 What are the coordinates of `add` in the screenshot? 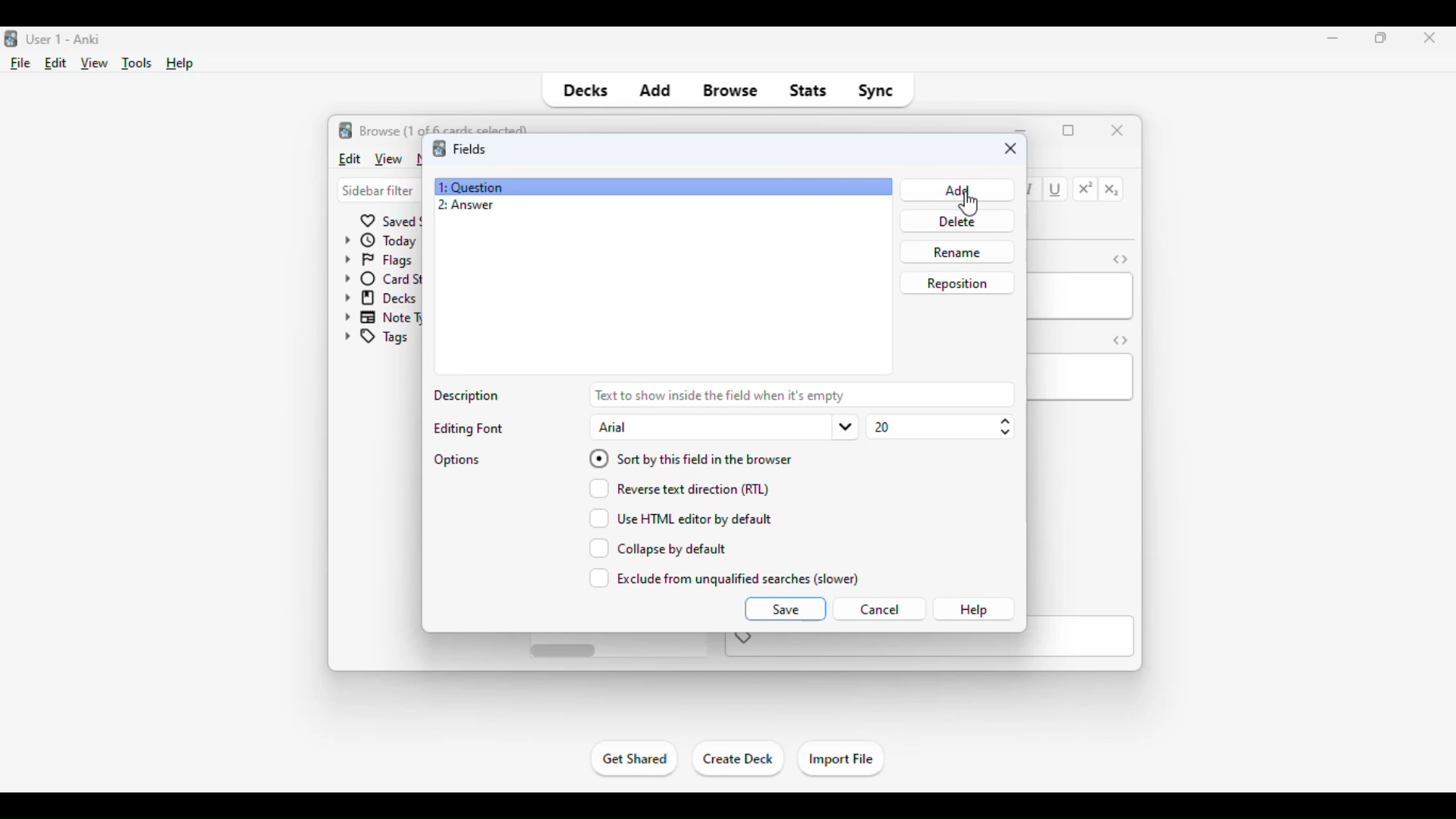 It's located at (654, 91).